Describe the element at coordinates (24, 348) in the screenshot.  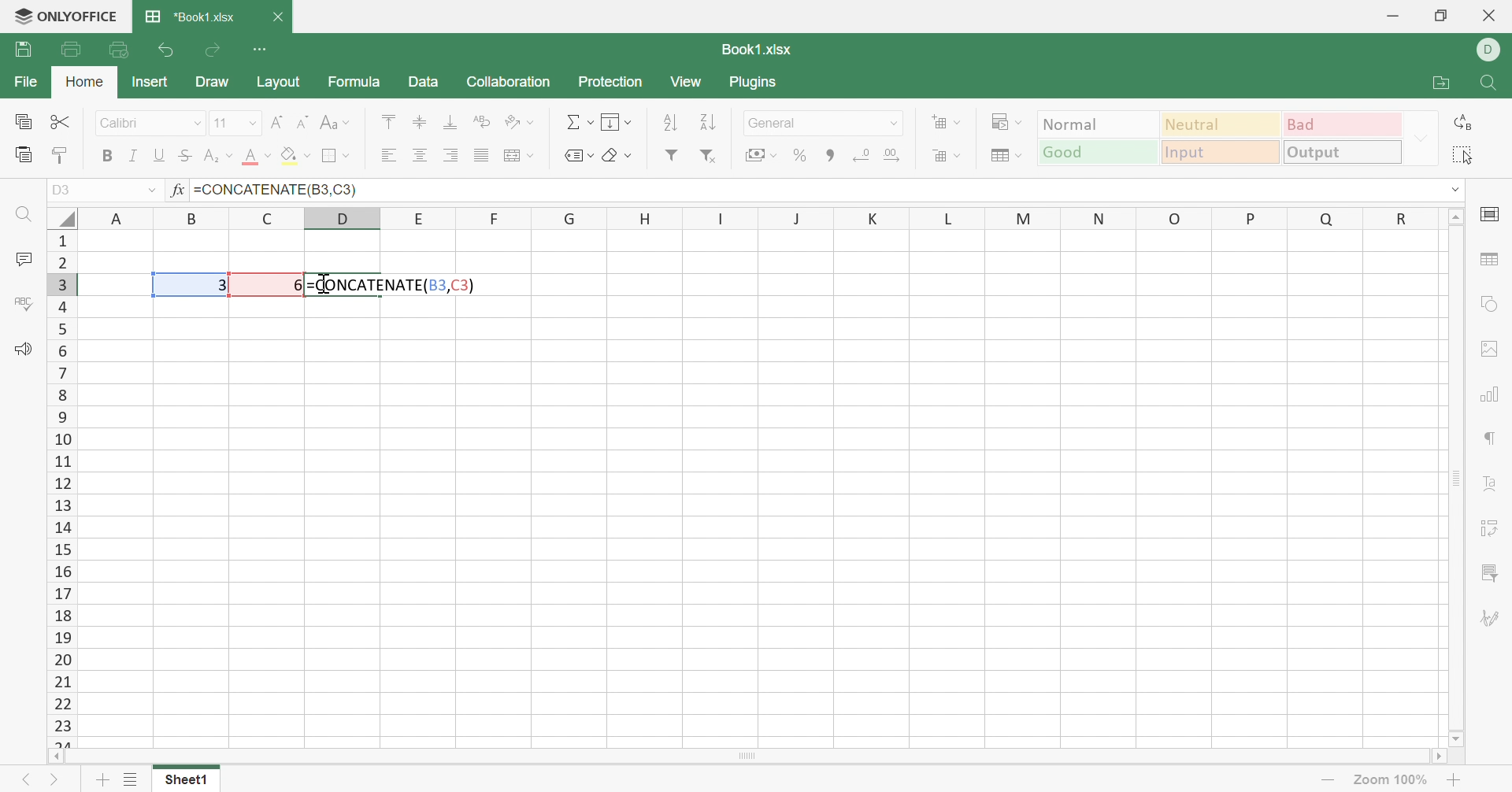
I see `Feedback & Support` at that location.